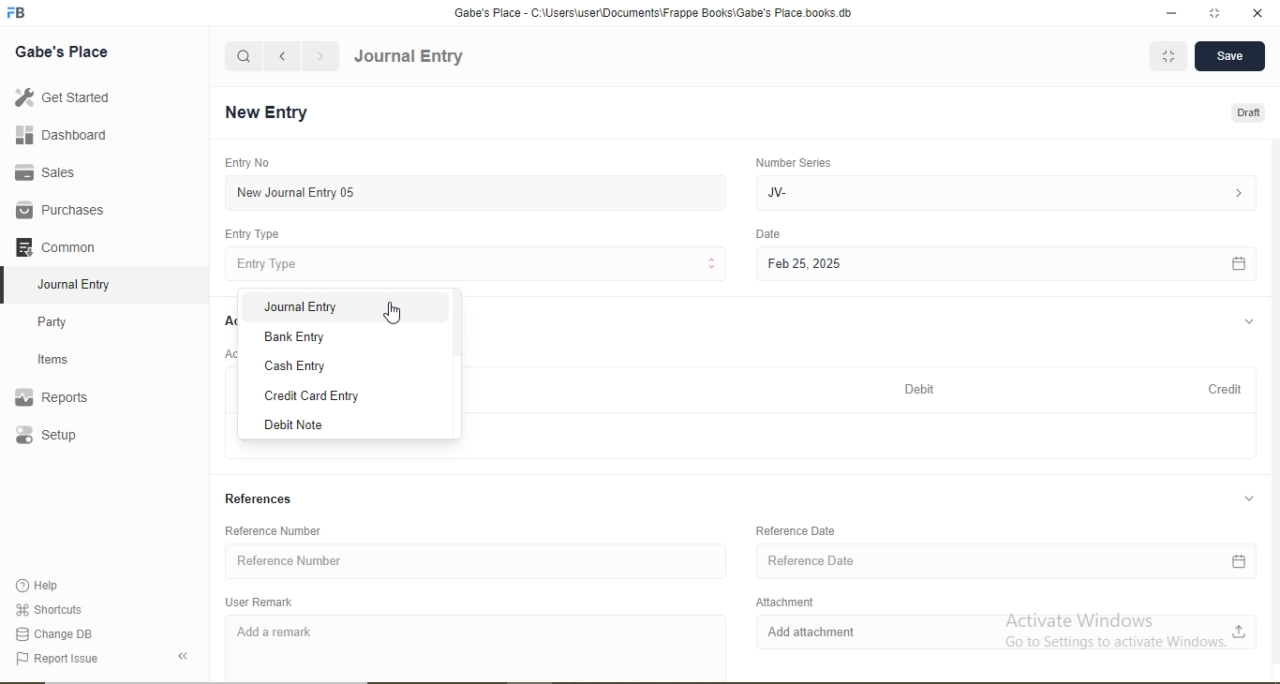  I want to click on Reference Date, so click(1012, 562).